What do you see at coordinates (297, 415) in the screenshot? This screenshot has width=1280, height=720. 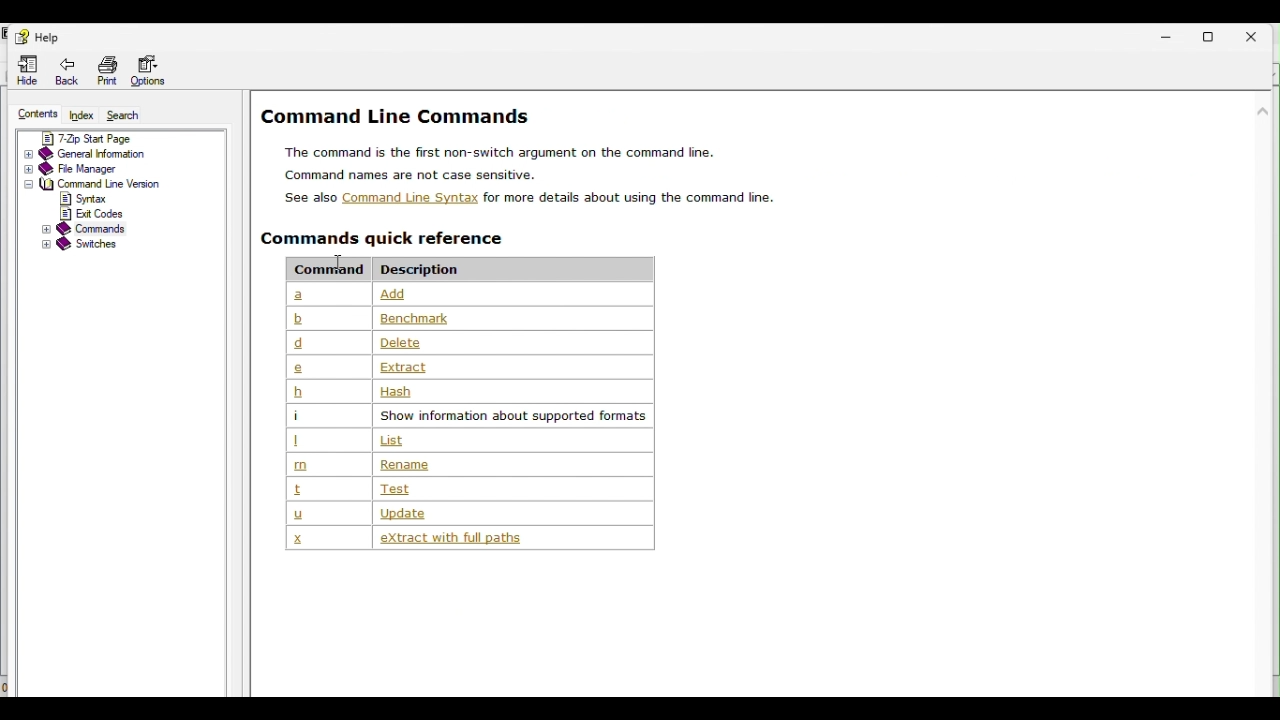 I see `i` at bounding box center [297, 415].